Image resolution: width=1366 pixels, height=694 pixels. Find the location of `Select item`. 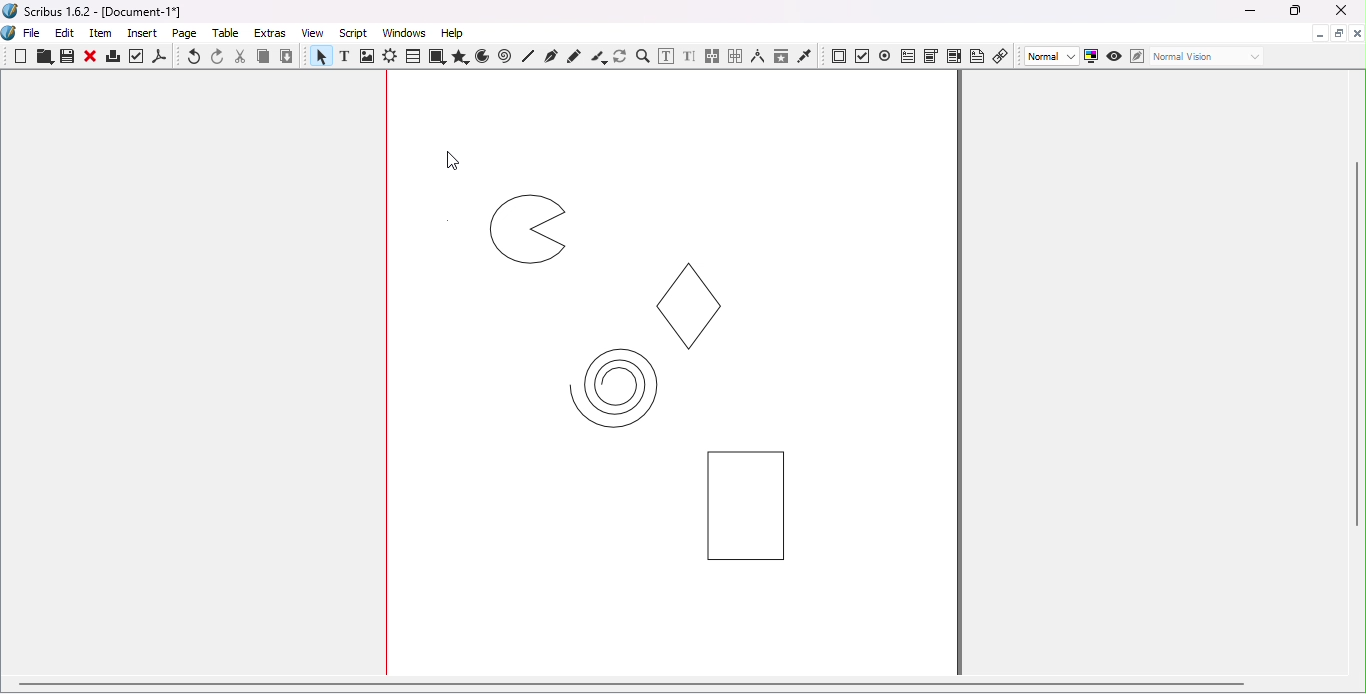

Select item is located at coordinates (319, 58).